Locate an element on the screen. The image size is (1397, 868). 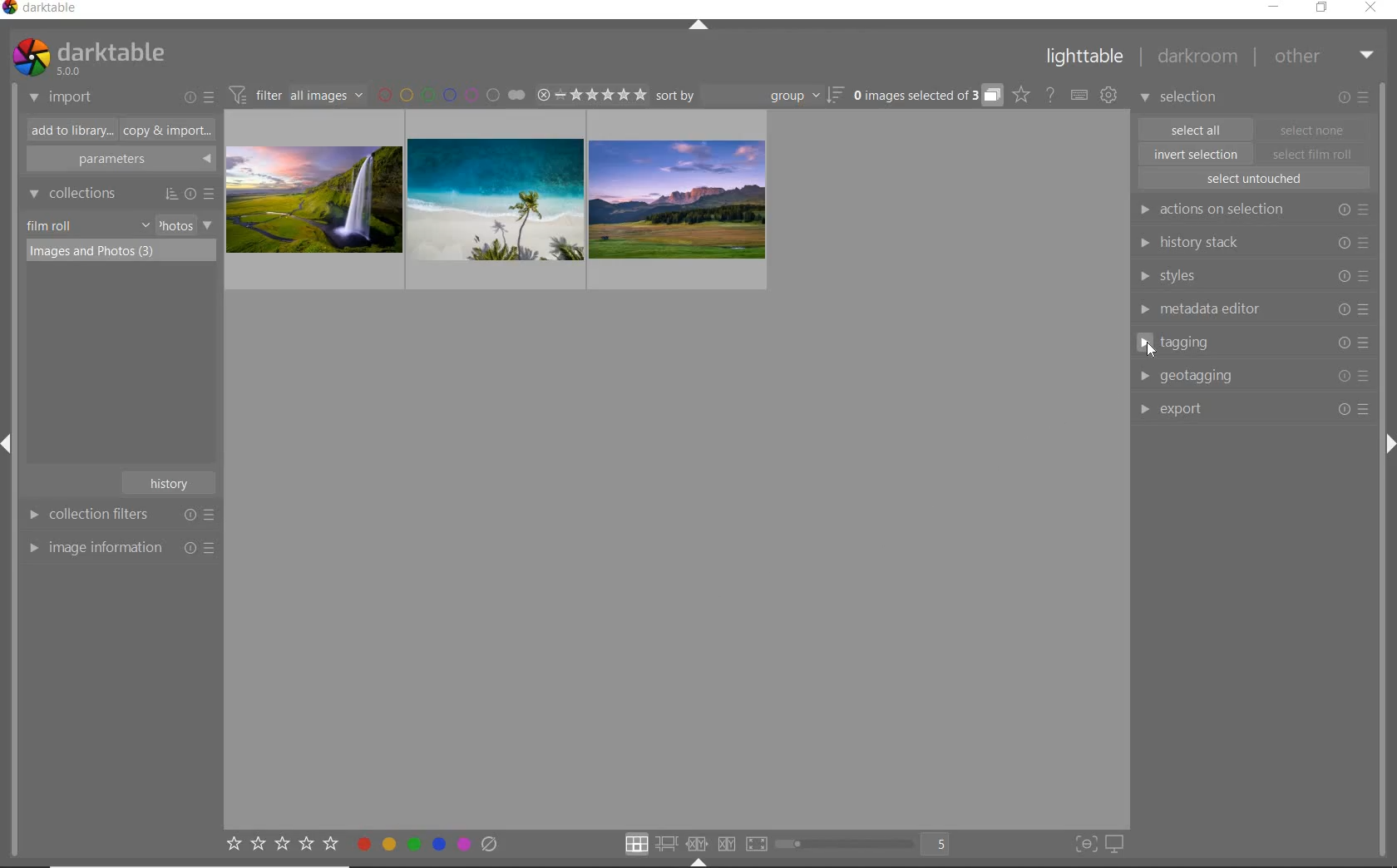
system logo is located at coordinates (87, 57).